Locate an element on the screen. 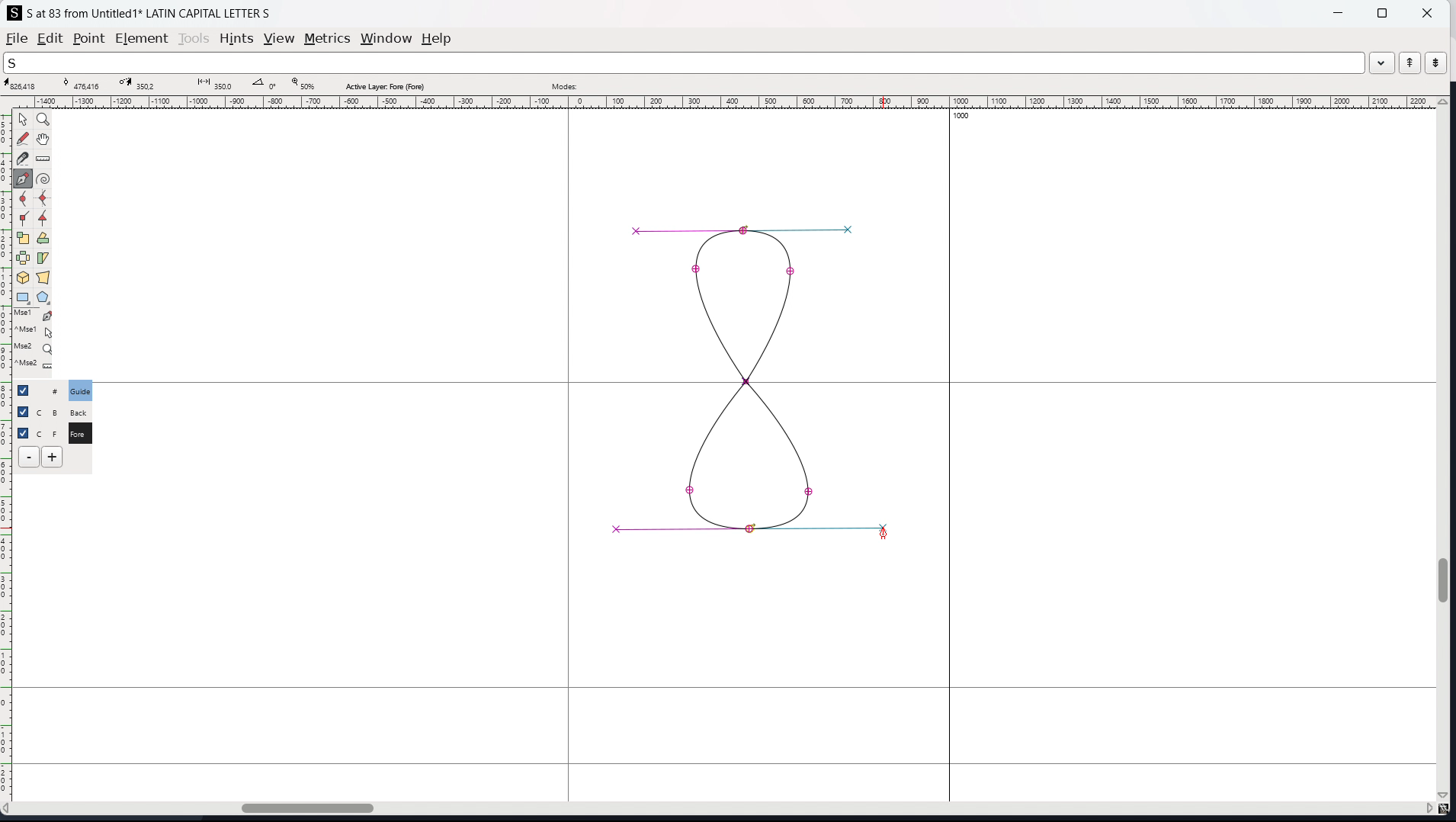 The height and width of the screenshot is (822, 1456). Mse1 is located at coordinates (34, 316).